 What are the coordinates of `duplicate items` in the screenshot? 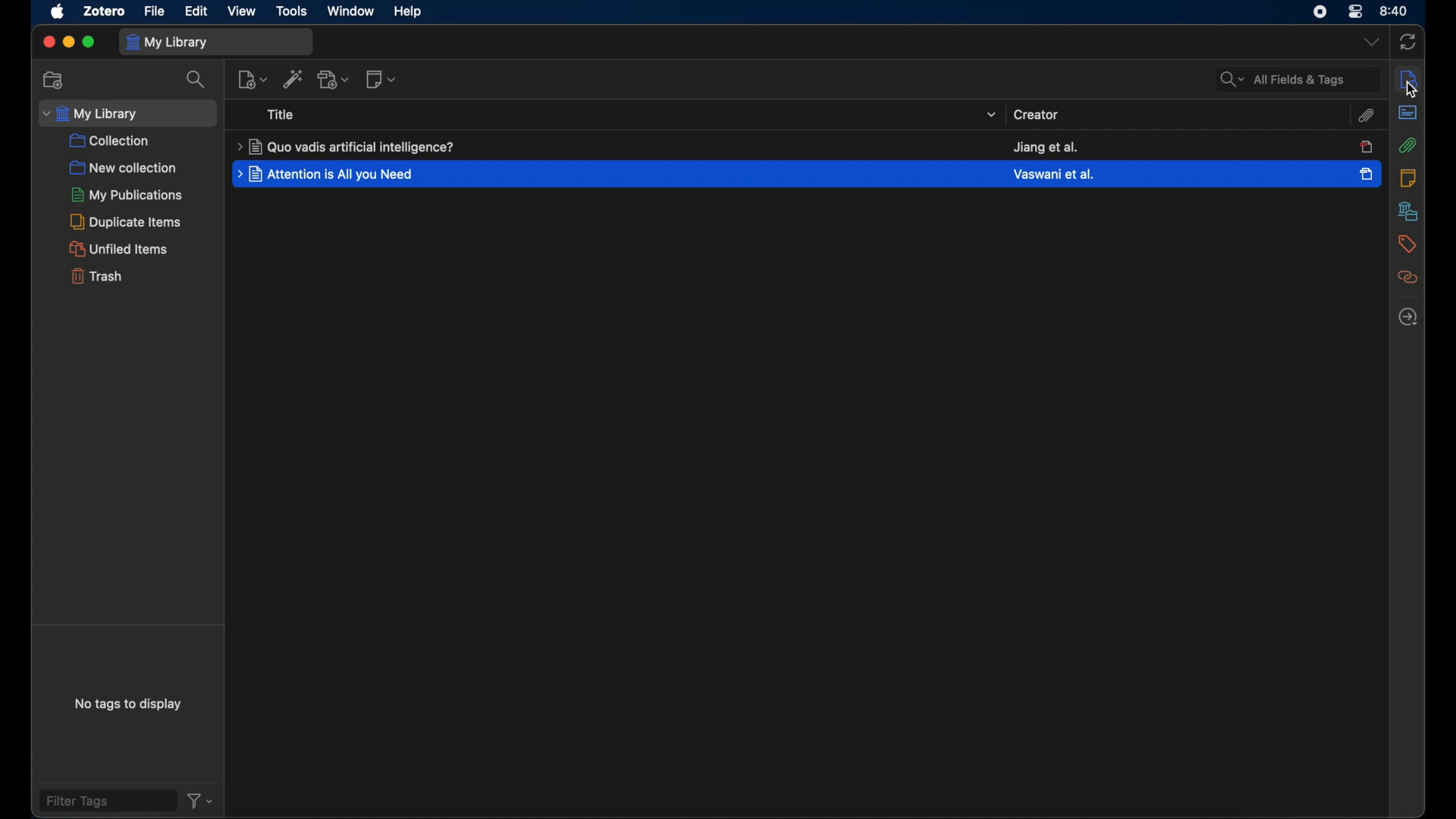 It's located at (127, 221).